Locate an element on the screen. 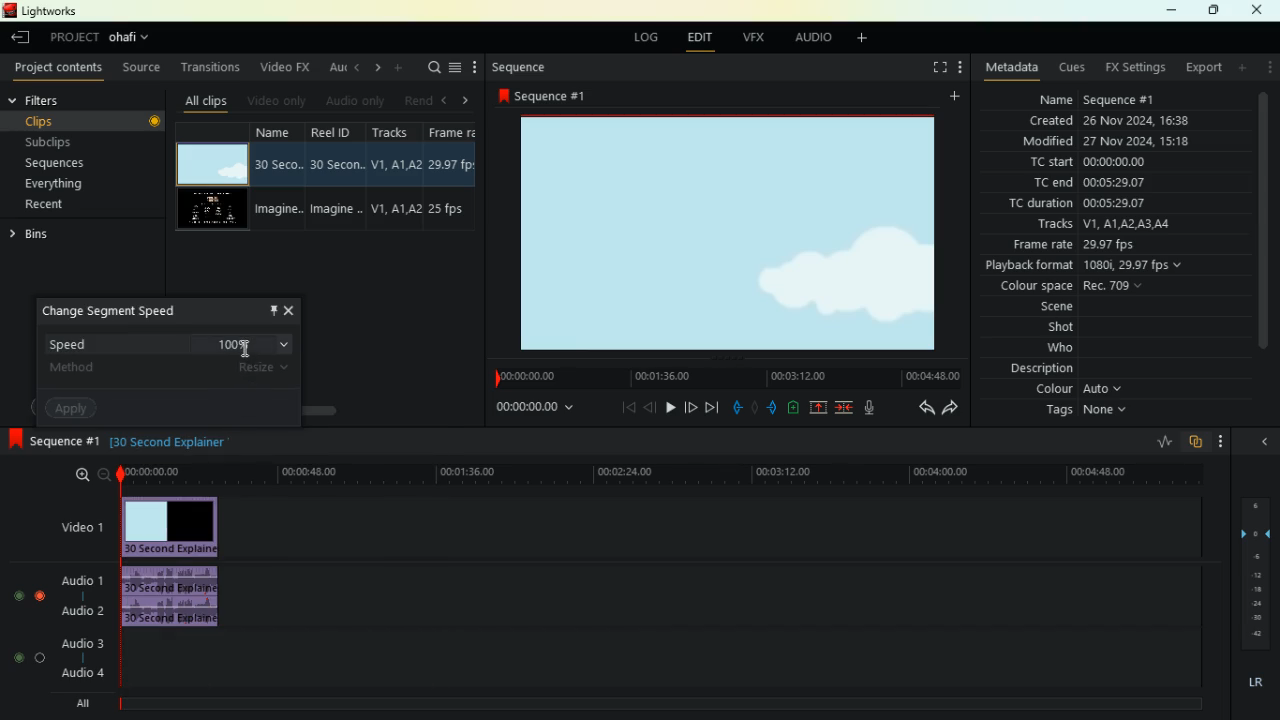 Image resolution: width=1280 pixels, height=720 pixels. close is located at coordinates (292, 311).